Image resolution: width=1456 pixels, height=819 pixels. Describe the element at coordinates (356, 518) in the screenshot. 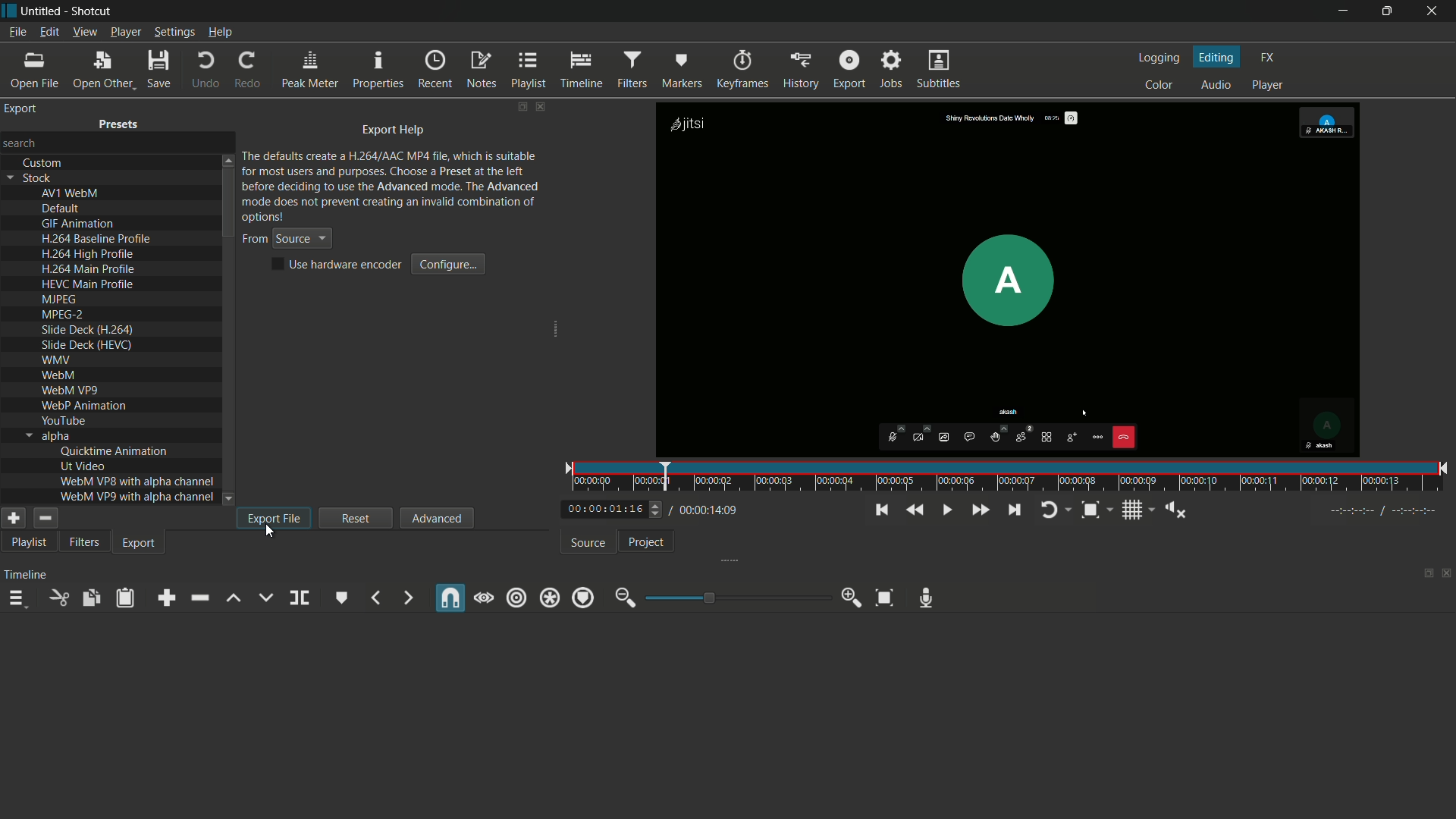

I see `reset` at that location.